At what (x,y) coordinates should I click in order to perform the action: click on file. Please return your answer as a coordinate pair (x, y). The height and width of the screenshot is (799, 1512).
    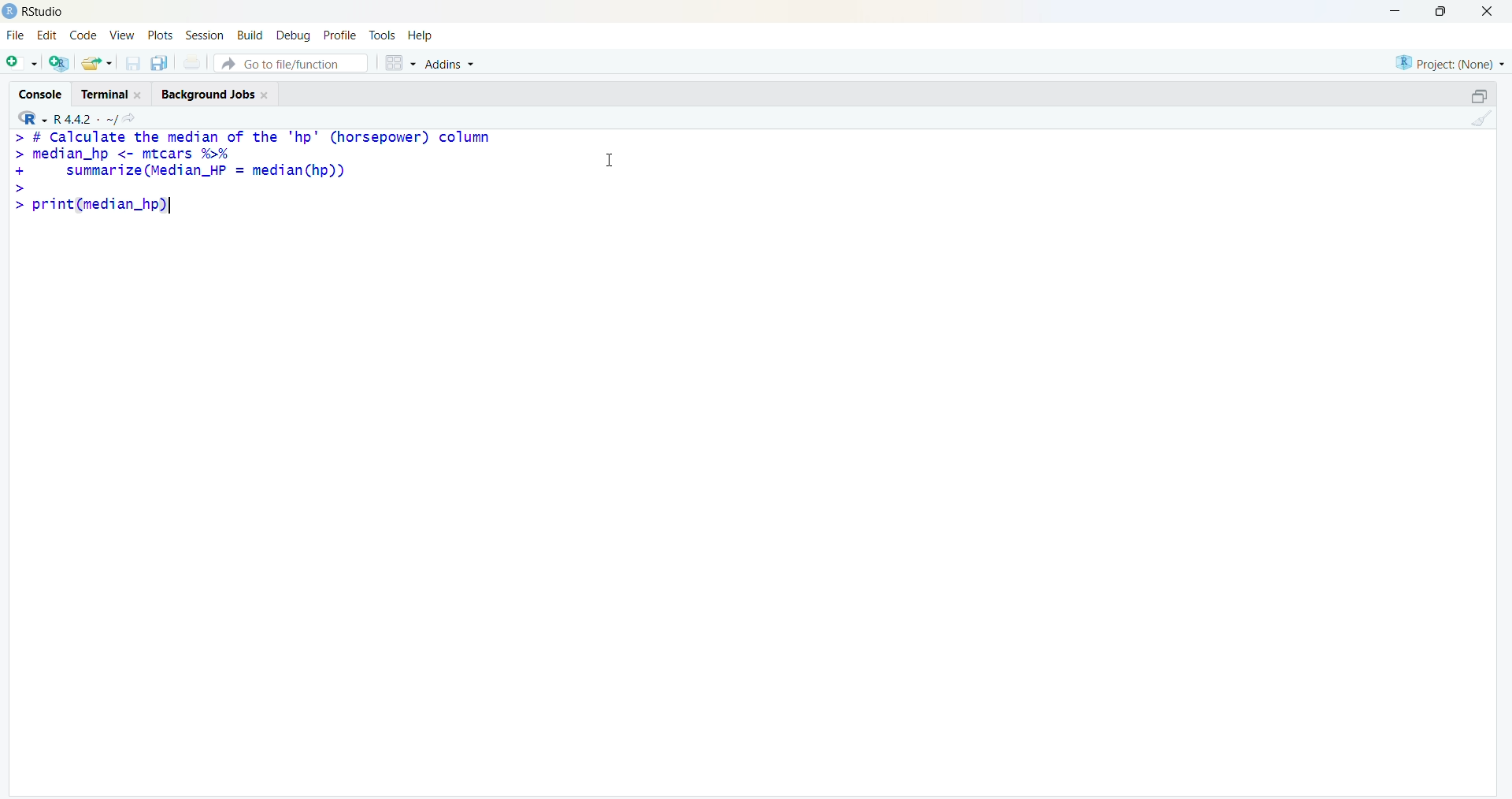
    Looking at the image, I should click on (16, 34).